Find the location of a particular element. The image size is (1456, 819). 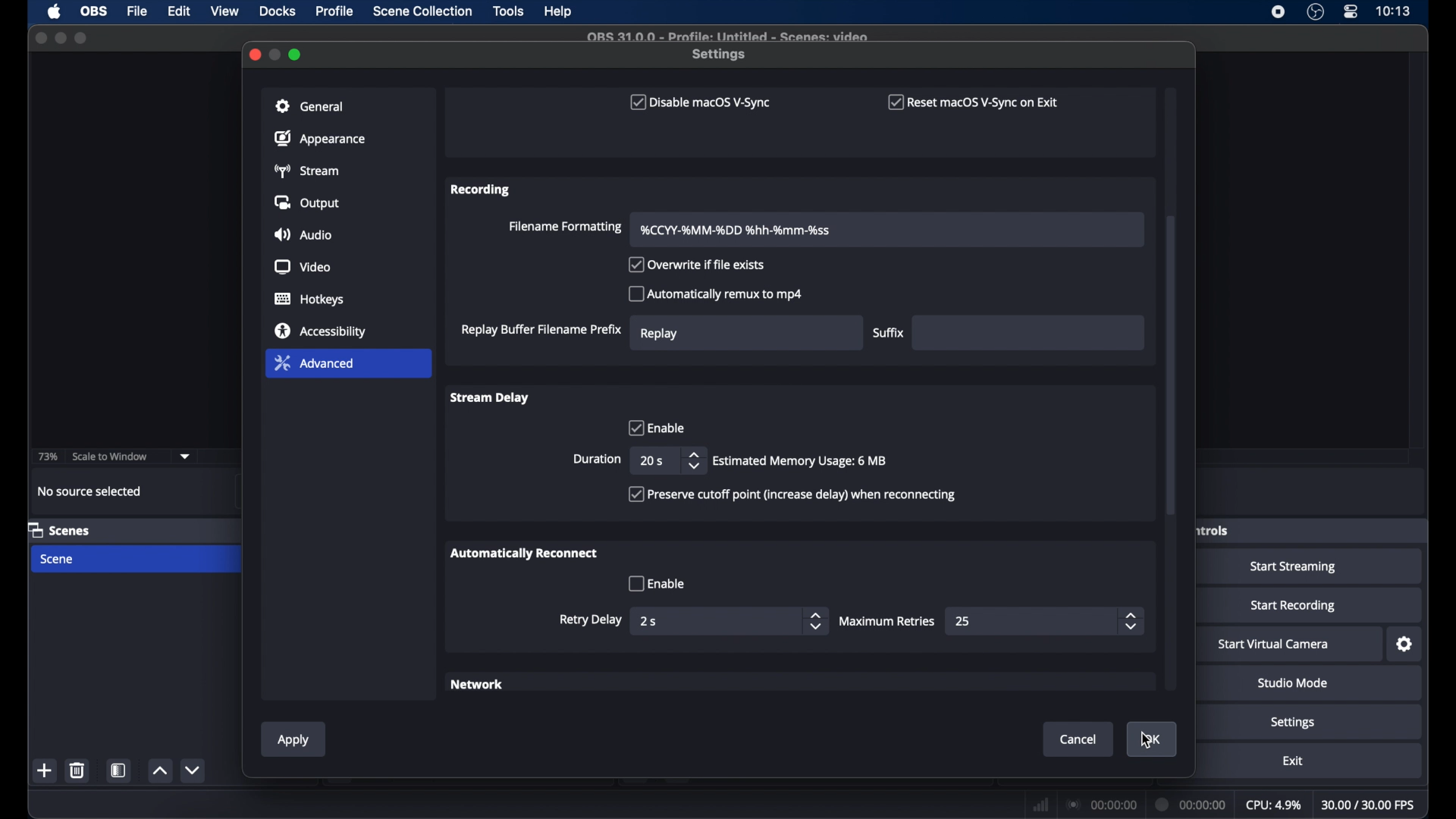

close is located at coordinates (41, 38).